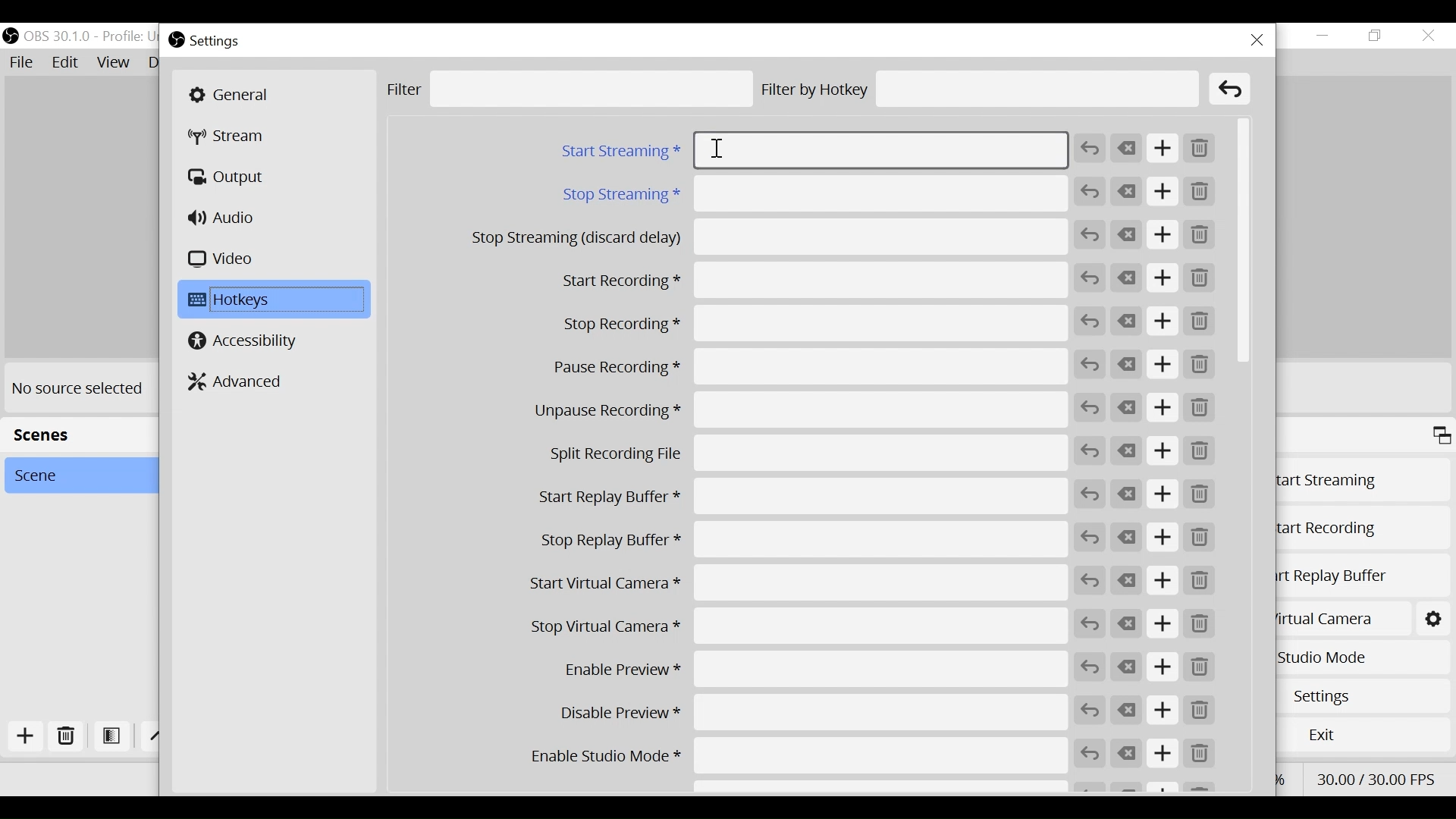  I want to click on Revert, so click(1090, 320).